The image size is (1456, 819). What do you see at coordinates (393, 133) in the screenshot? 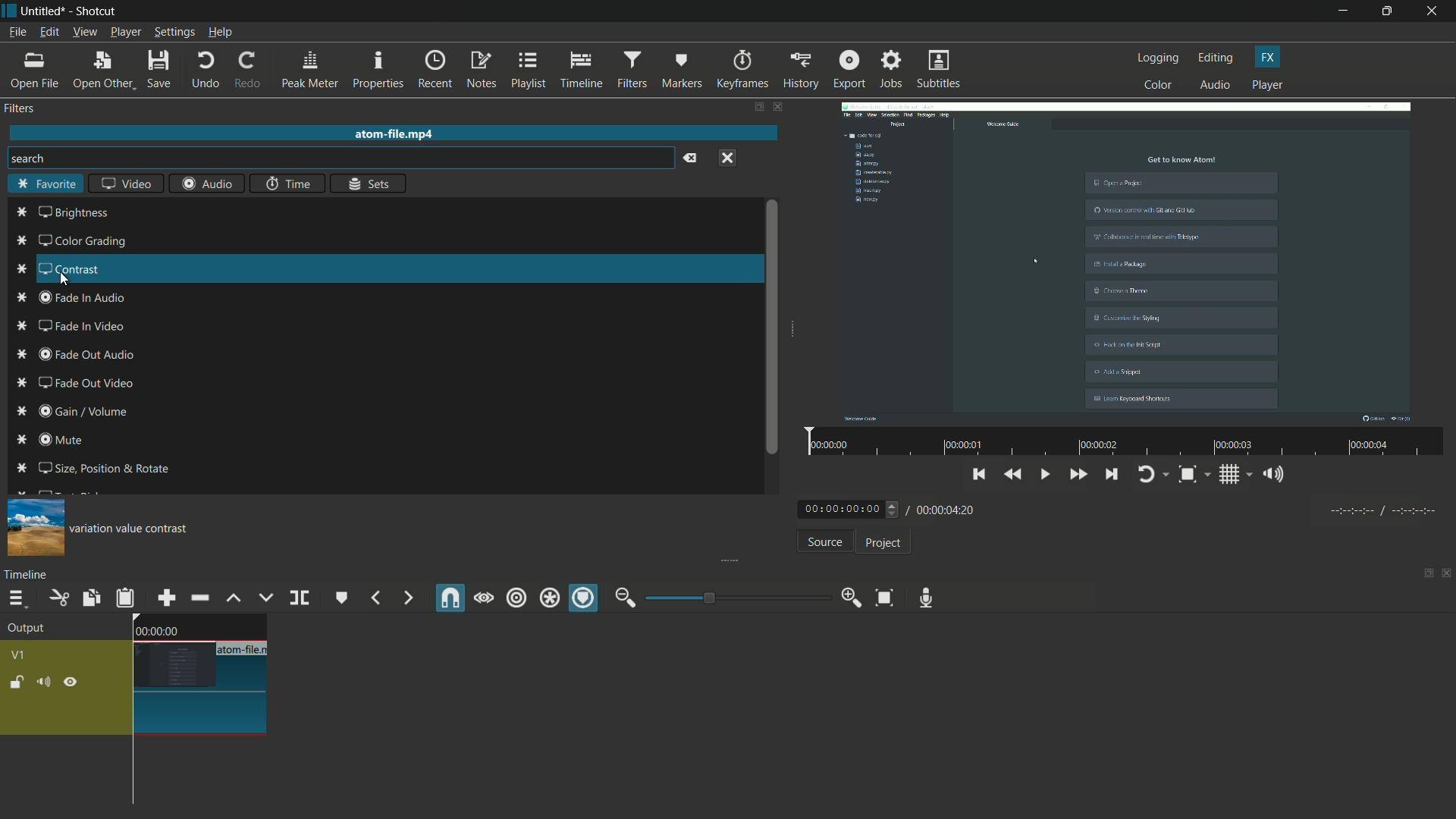
I see `atom-file.mp4` at bounding box center [393, 133].